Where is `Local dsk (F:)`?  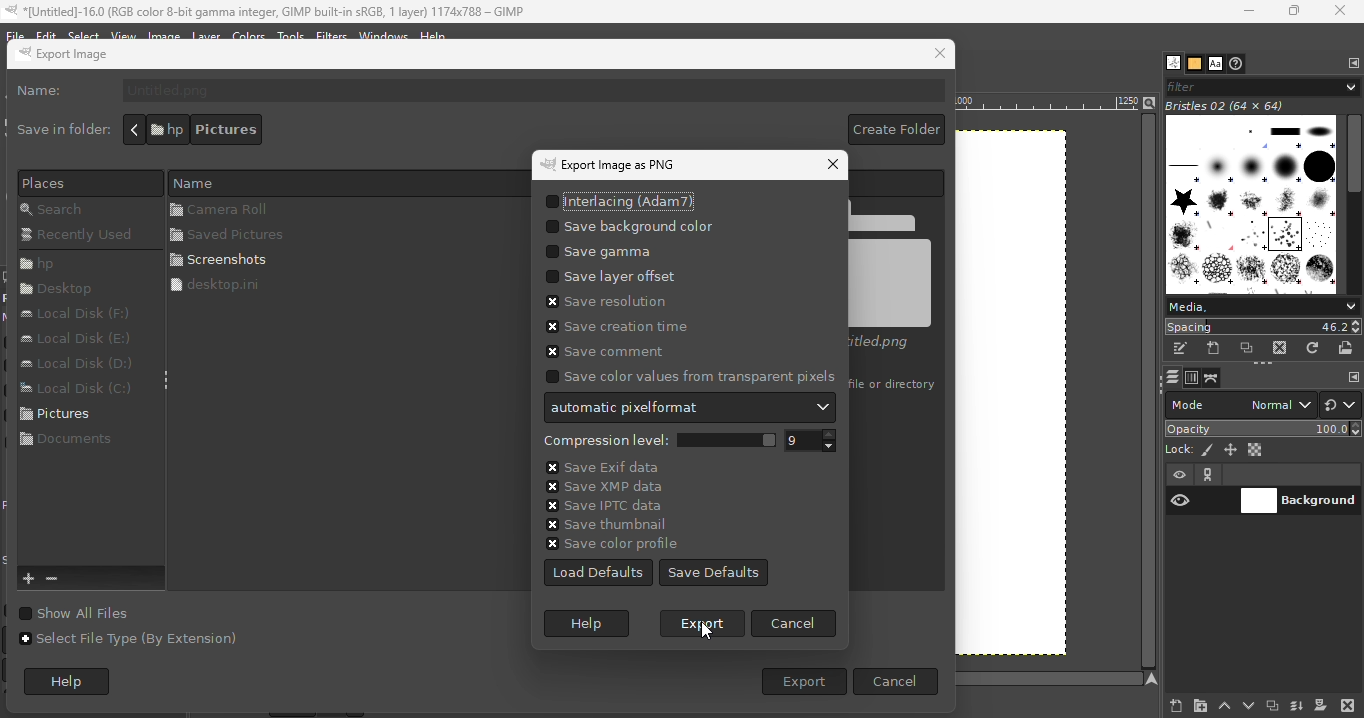
Local dsk (F:) is located at coordinates (82, 314).